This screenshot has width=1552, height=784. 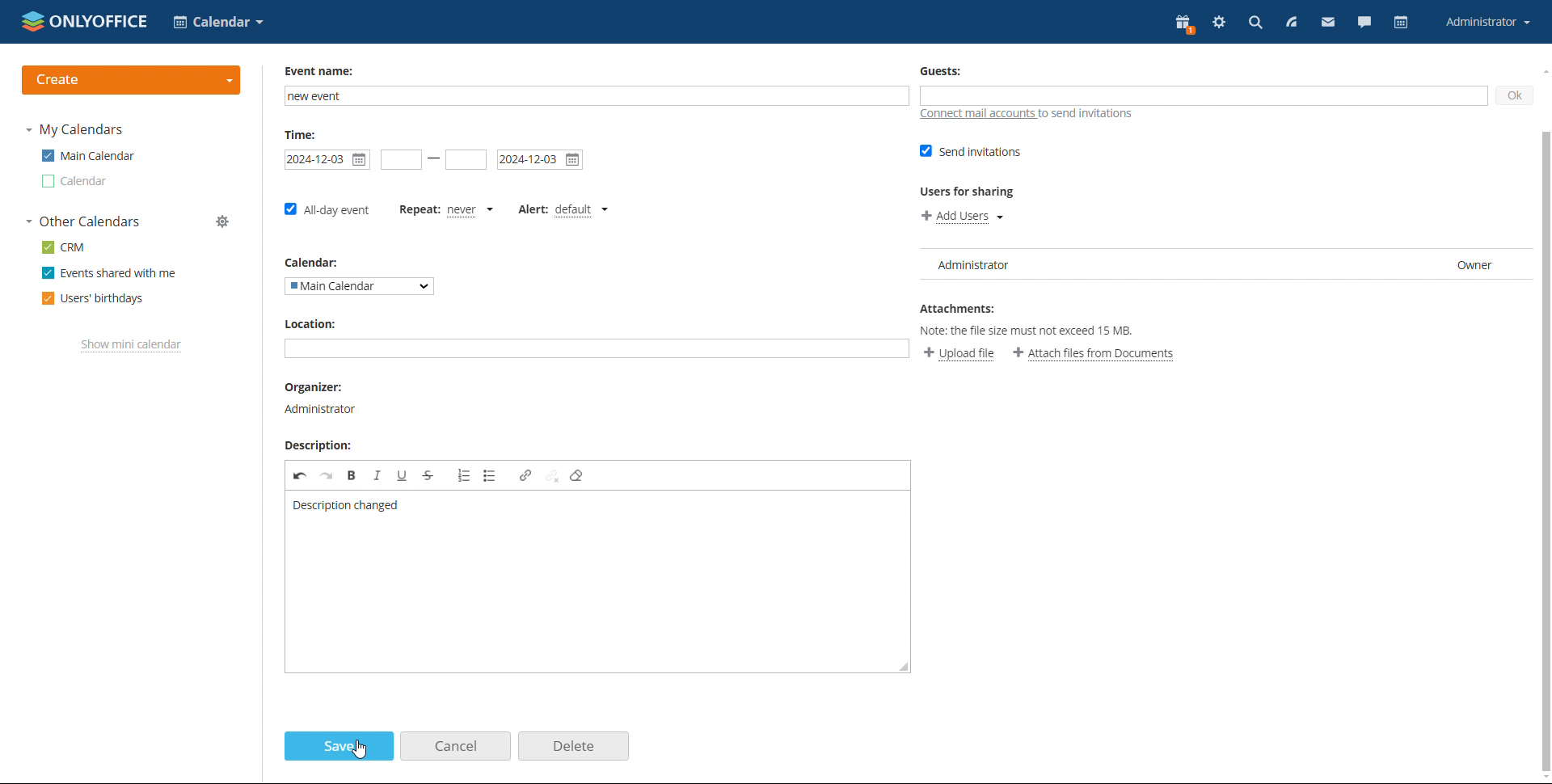 What do you see at coordinates (456, 745) in the screenshot?
I see `cancel` at bounding box center [456, 745].